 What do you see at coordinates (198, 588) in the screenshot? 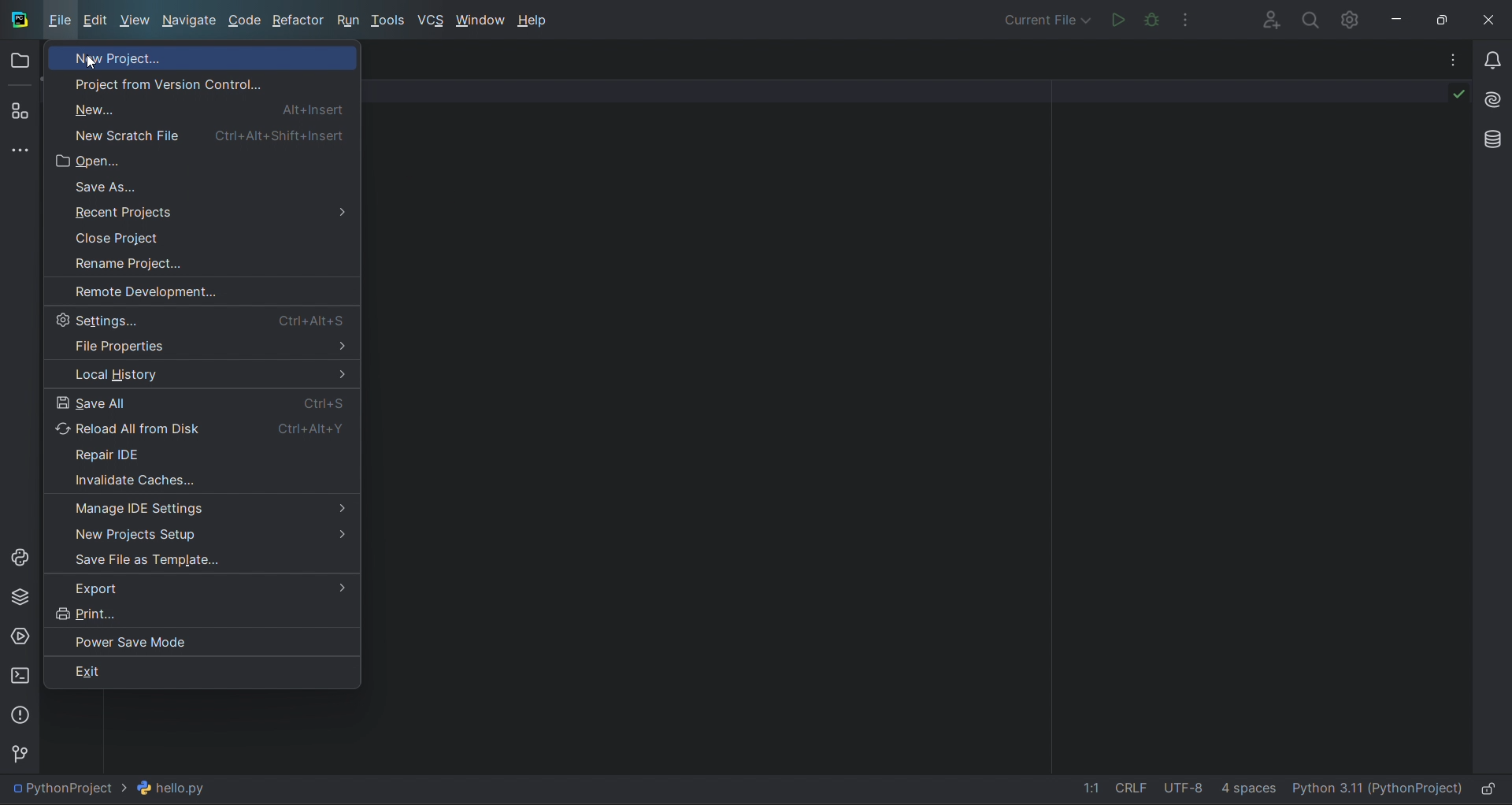
I see `export` at bounding box center [198, 588].